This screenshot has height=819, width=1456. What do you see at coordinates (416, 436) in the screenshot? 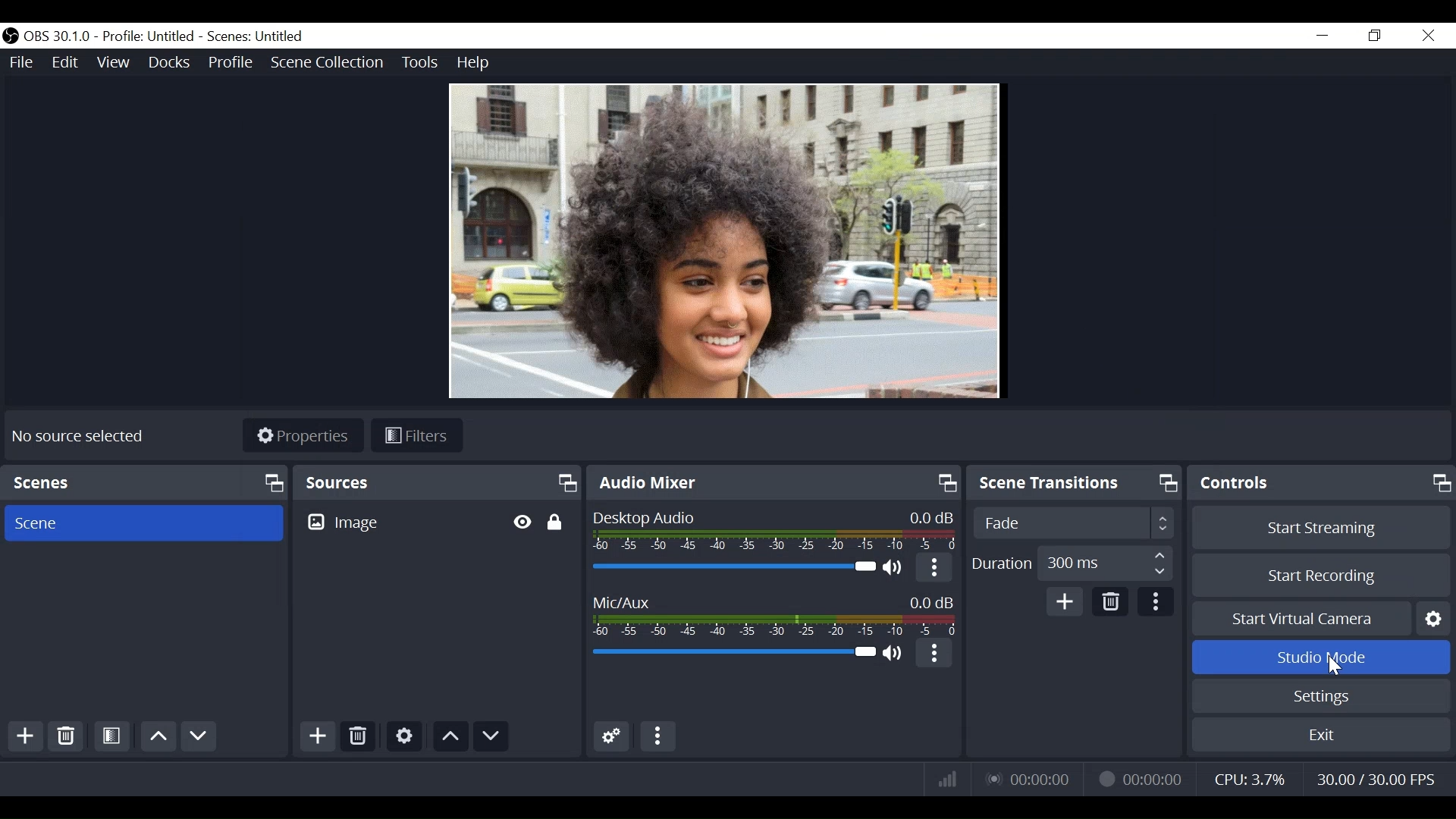
I see `Filters` at bounding box center [416, 436].